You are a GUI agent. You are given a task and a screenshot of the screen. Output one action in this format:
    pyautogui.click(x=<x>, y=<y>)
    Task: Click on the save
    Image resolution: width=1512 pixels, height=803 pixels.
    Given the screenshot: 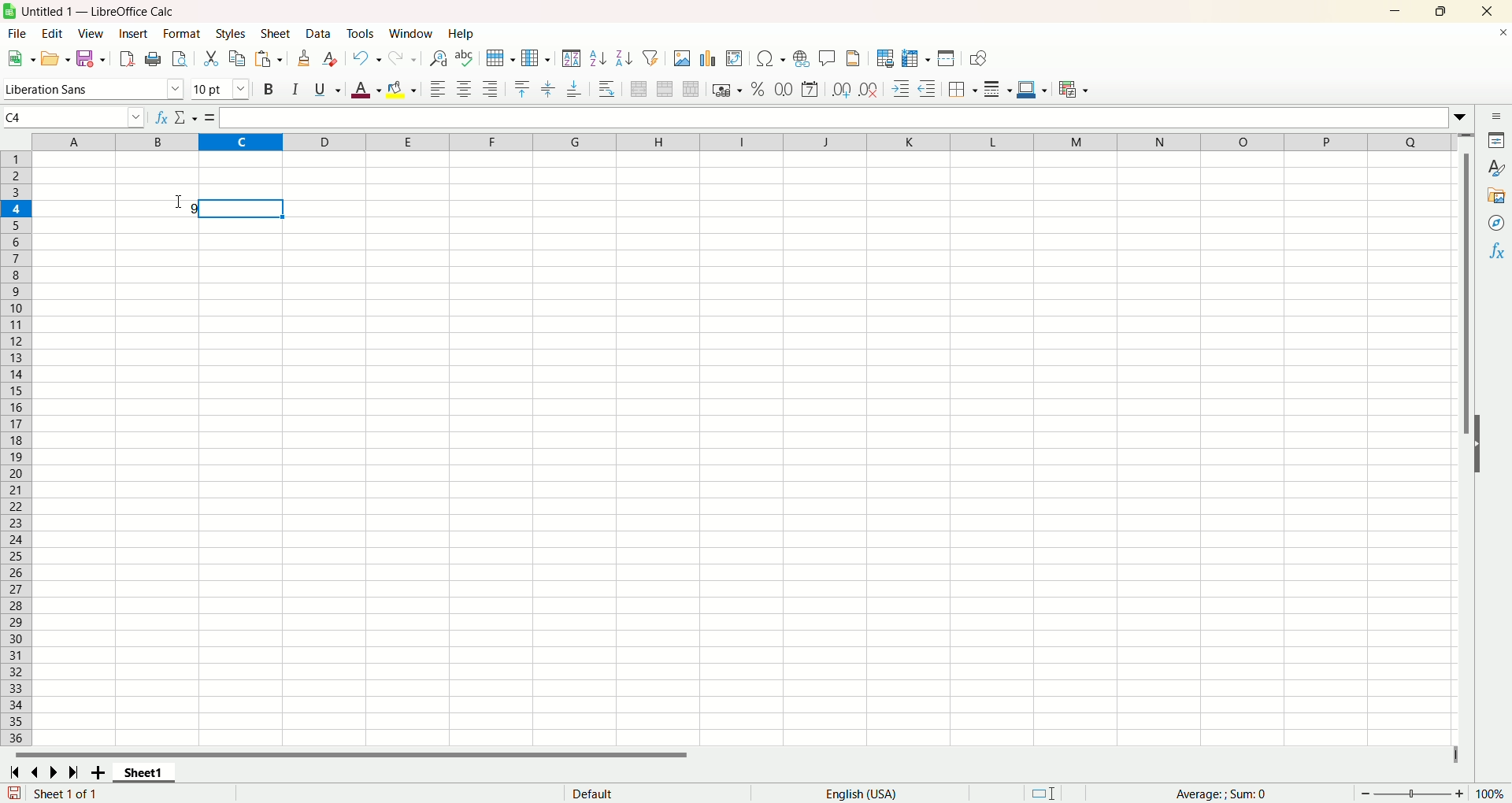 What is the action you would take?
    pyautogui.click(x=90, y=58)
    